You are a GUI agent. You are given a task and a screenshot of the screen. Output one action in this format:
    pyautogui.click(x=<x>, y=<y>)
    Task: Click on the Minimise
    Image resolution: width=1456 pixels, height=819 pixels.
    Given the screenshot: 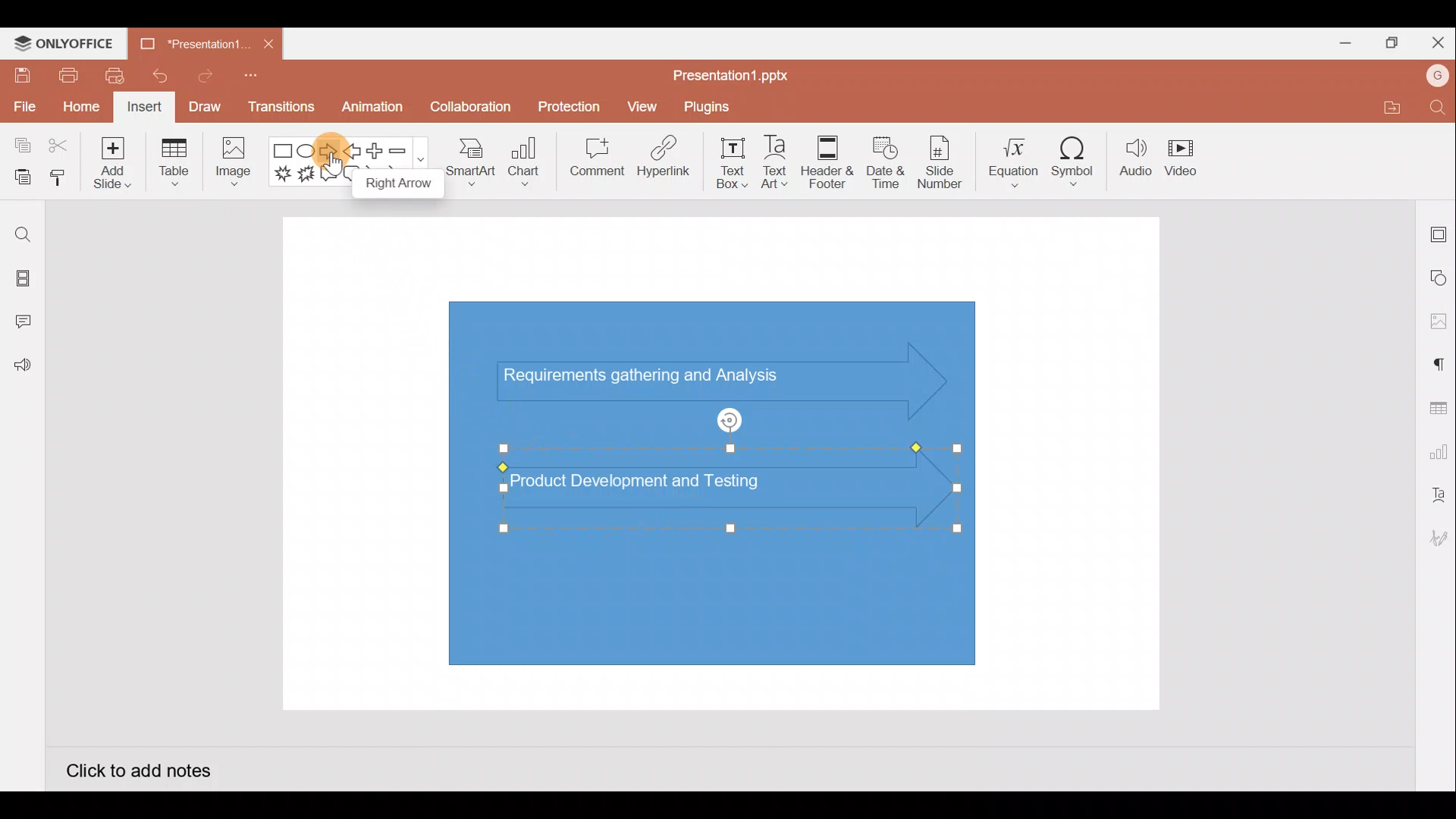 What is the action you would take?
    pyautogui.click(x=1339, y=40)
    